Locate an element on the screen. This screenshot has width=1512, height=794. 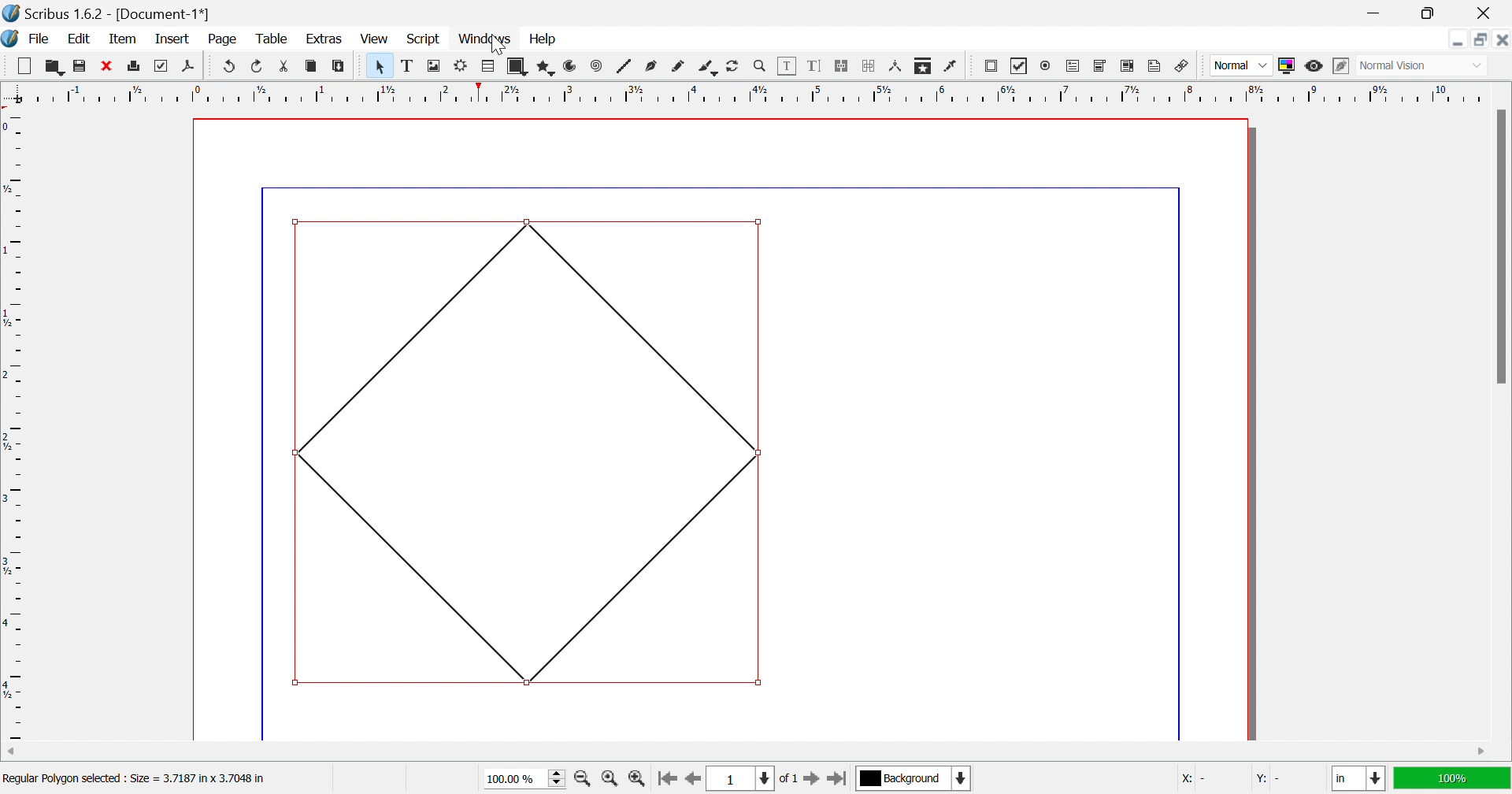
PDF radio button is located at coordinates (1048, 64).